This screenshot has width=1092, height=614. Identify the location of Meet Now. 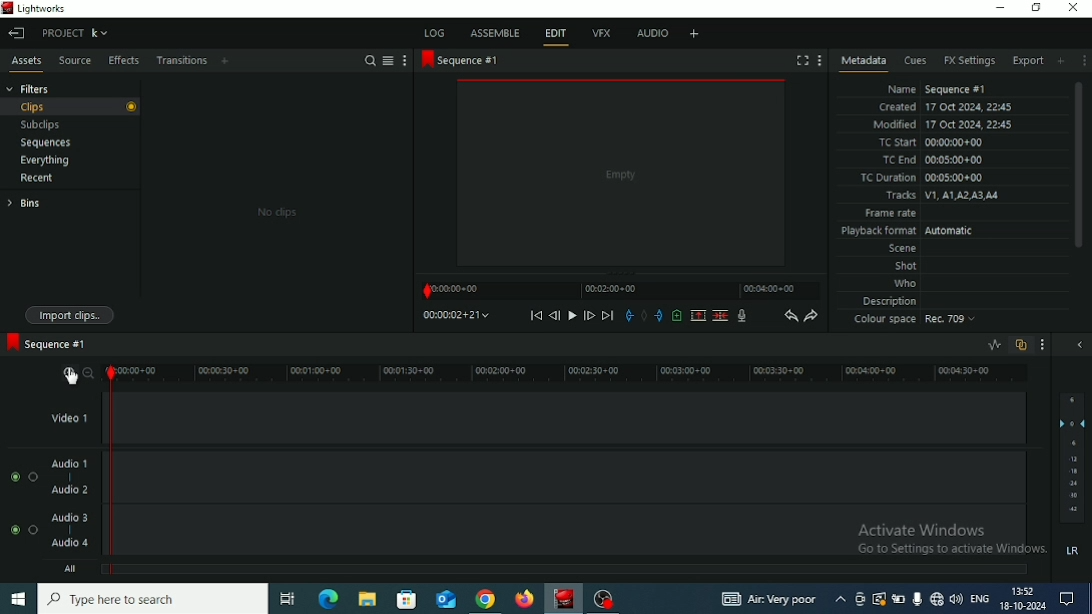
(860, 600).